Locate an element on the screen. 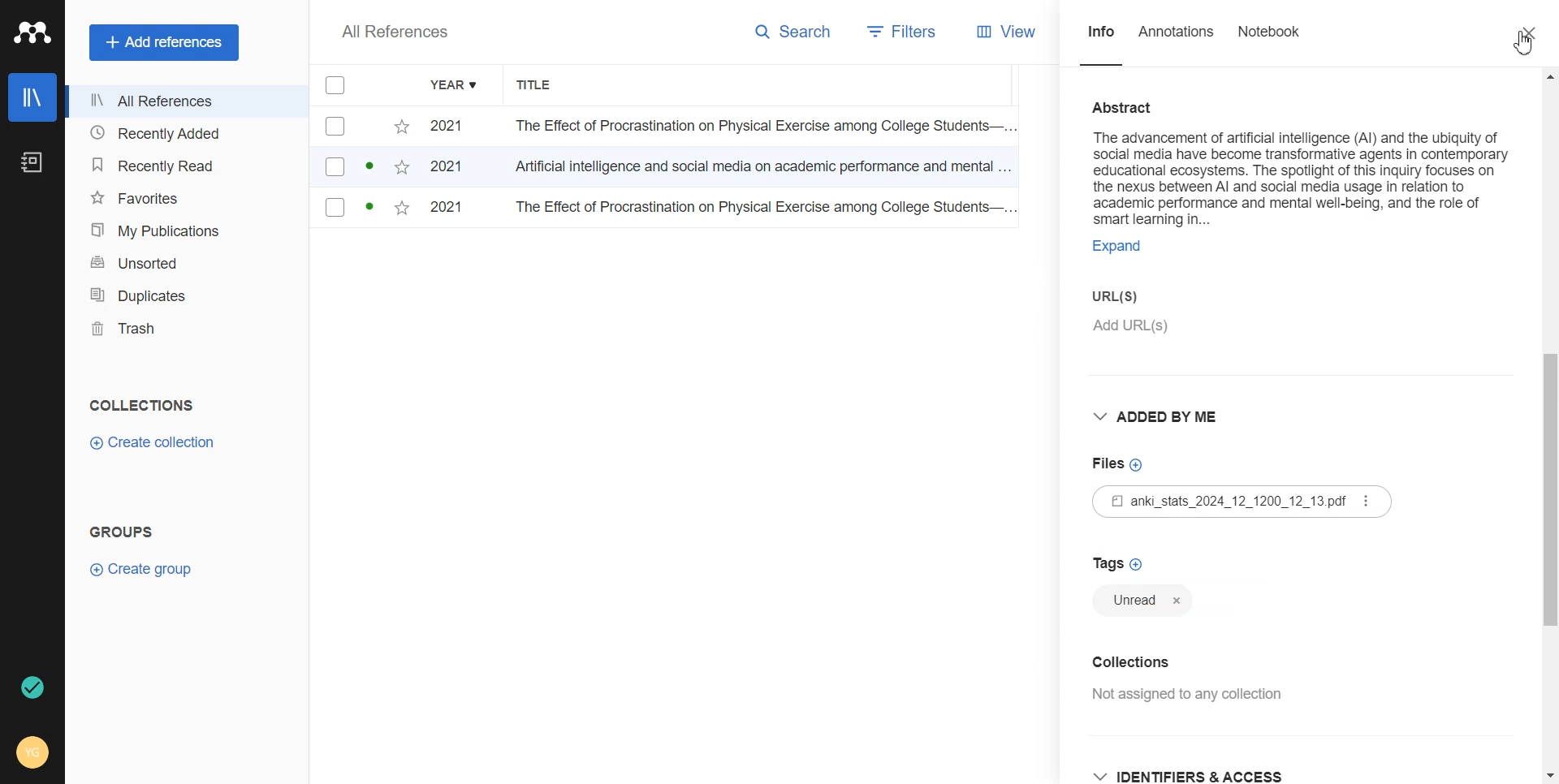  Vertical scroll bar is located at coordinates (1549, 424).